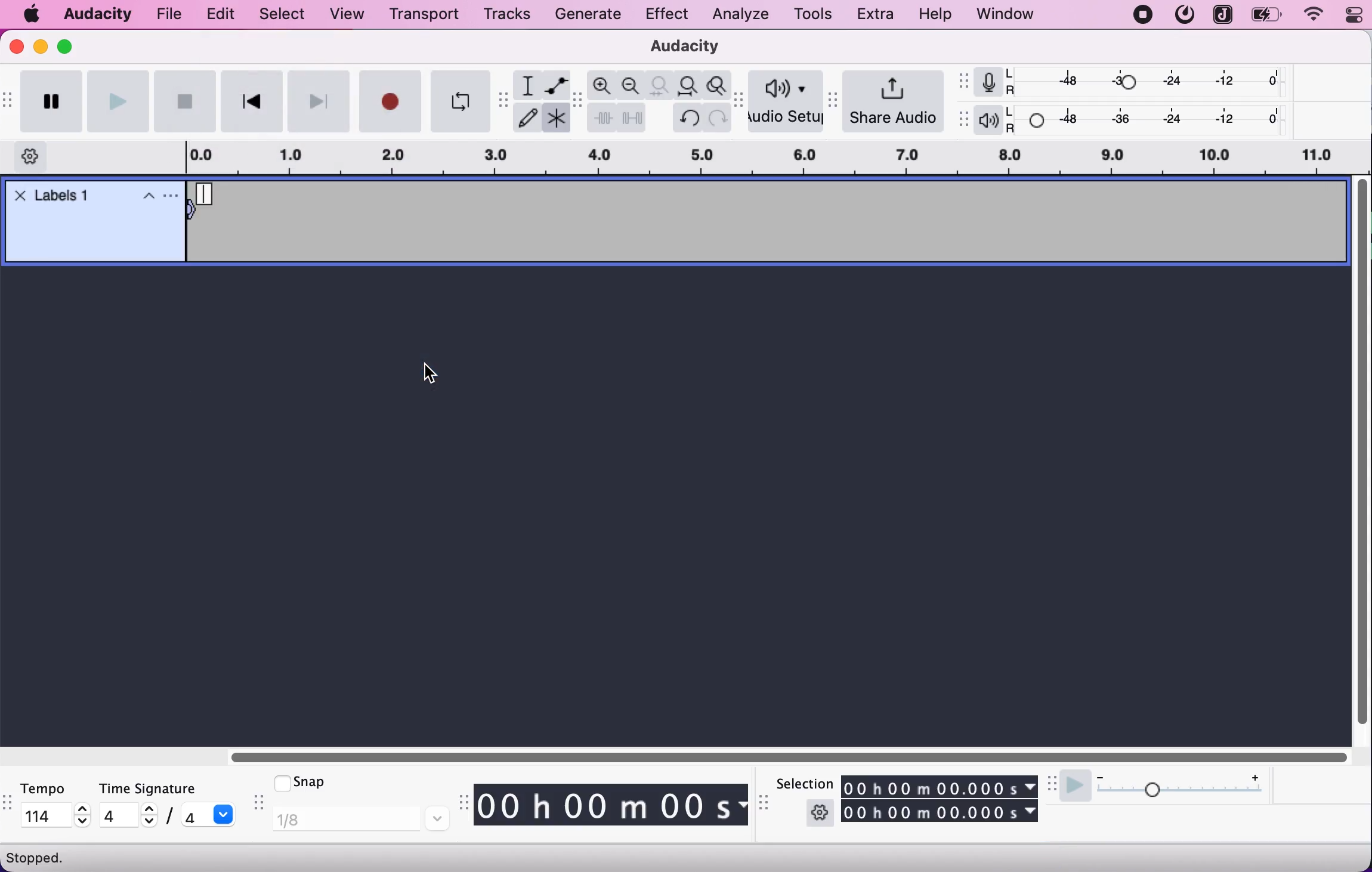 This screenshot has height=872, width=1372. I want to click on track timing, so click(611, 806).